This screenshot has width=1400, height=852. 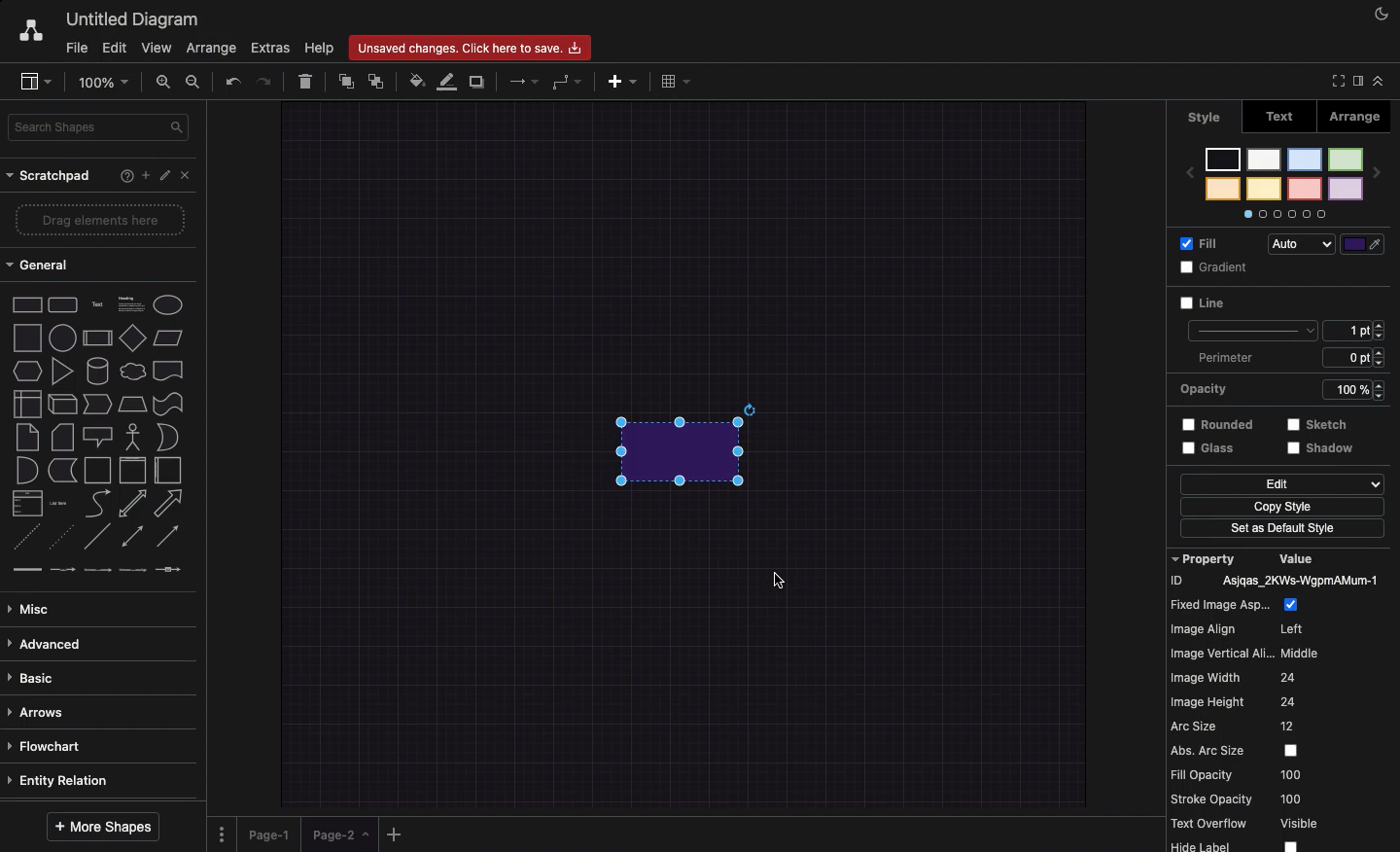 What do you see at coordinates (37, 83) in the screenshot?
I see `Sidebar` at bounding box center [37, 83].